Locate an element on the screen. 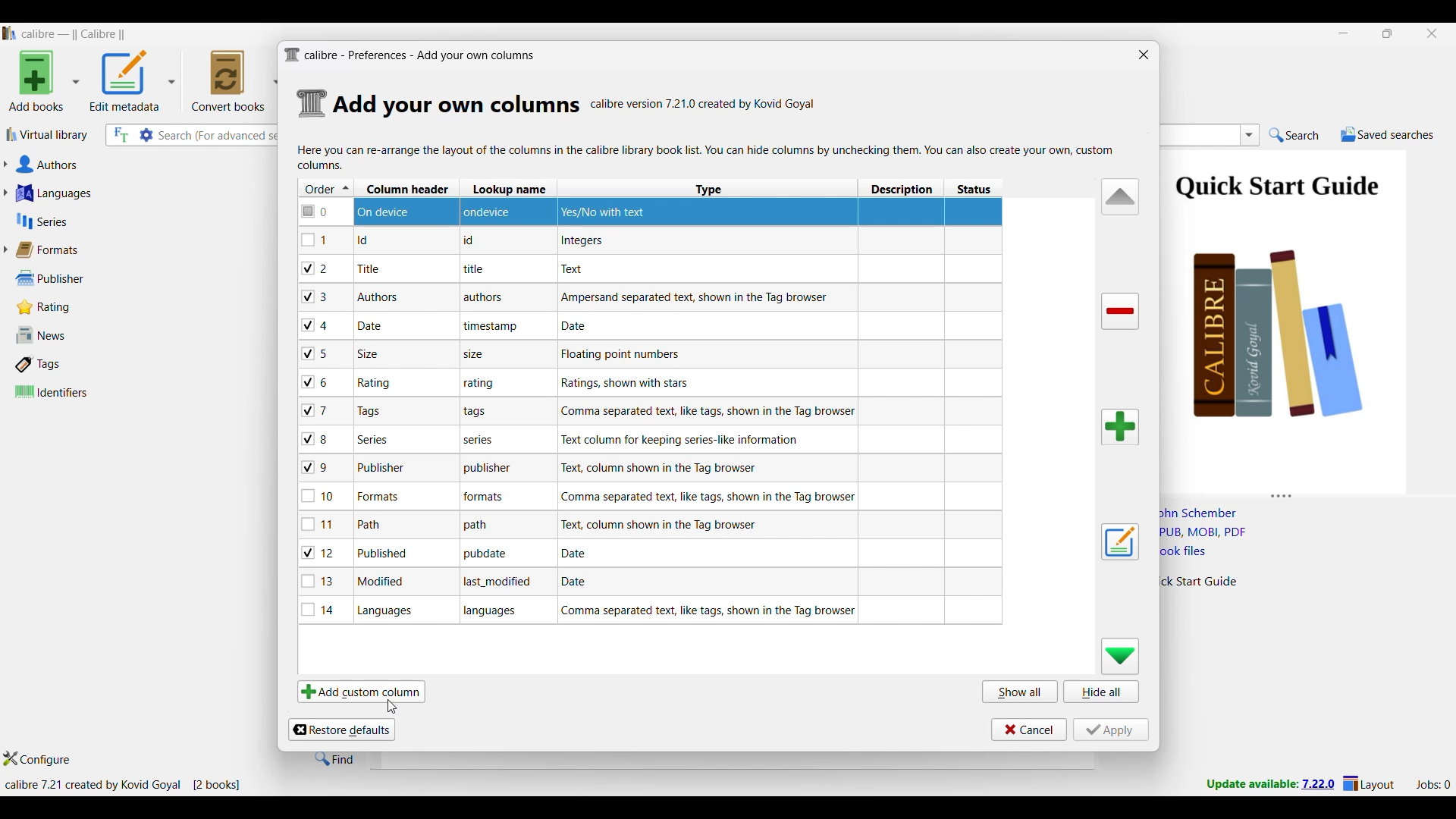 This screenshot has width=1456, height=819. Current details of software is located at coordinates (122, 785).